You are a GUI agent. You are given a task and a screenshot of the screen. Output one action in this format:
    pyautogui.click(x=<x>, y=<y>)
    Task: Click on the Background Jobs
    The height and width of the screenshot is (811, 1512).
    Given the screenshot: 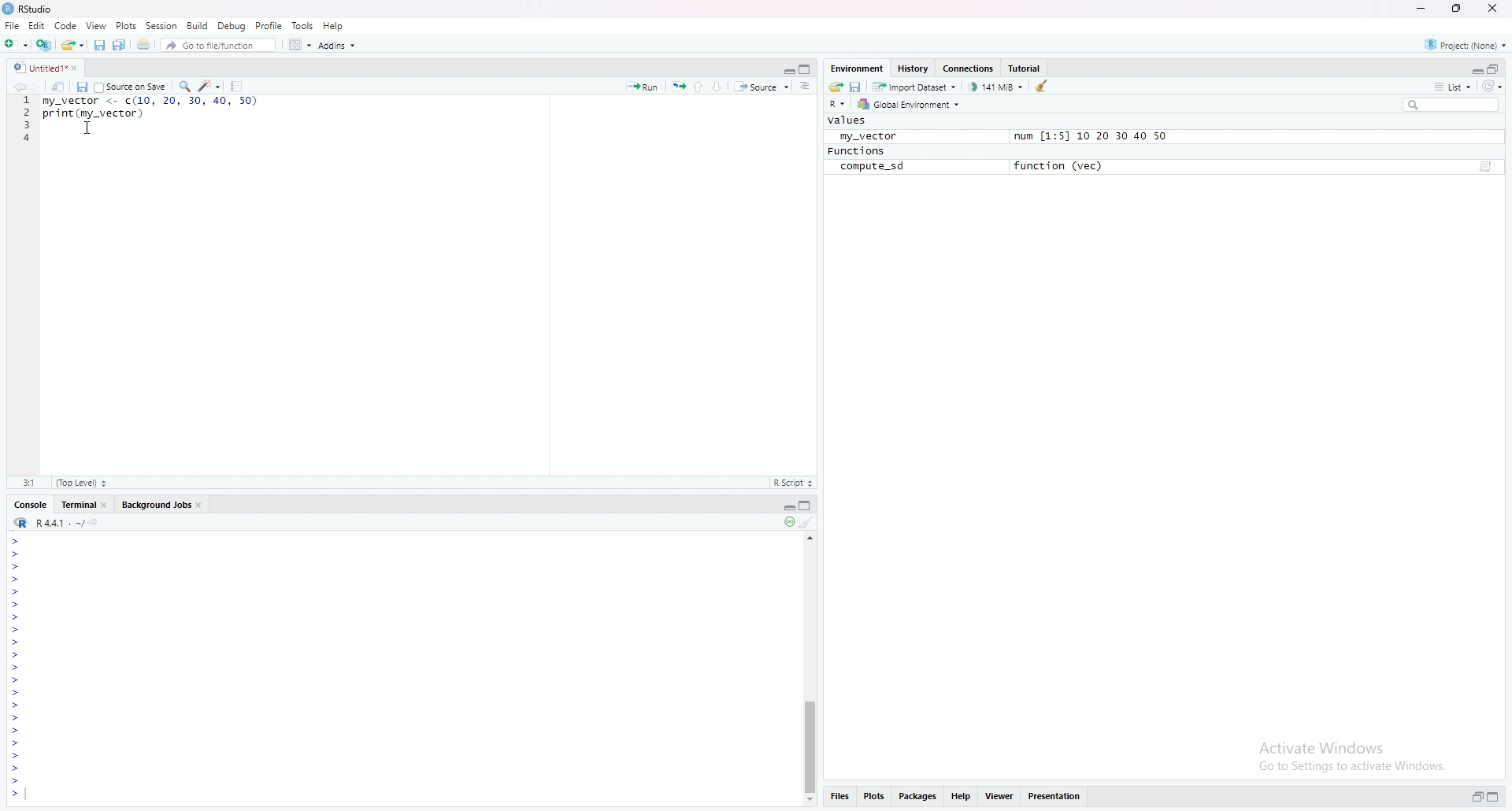 What is the action you would take?
    pyautogui.click(x=161, y=504)
    